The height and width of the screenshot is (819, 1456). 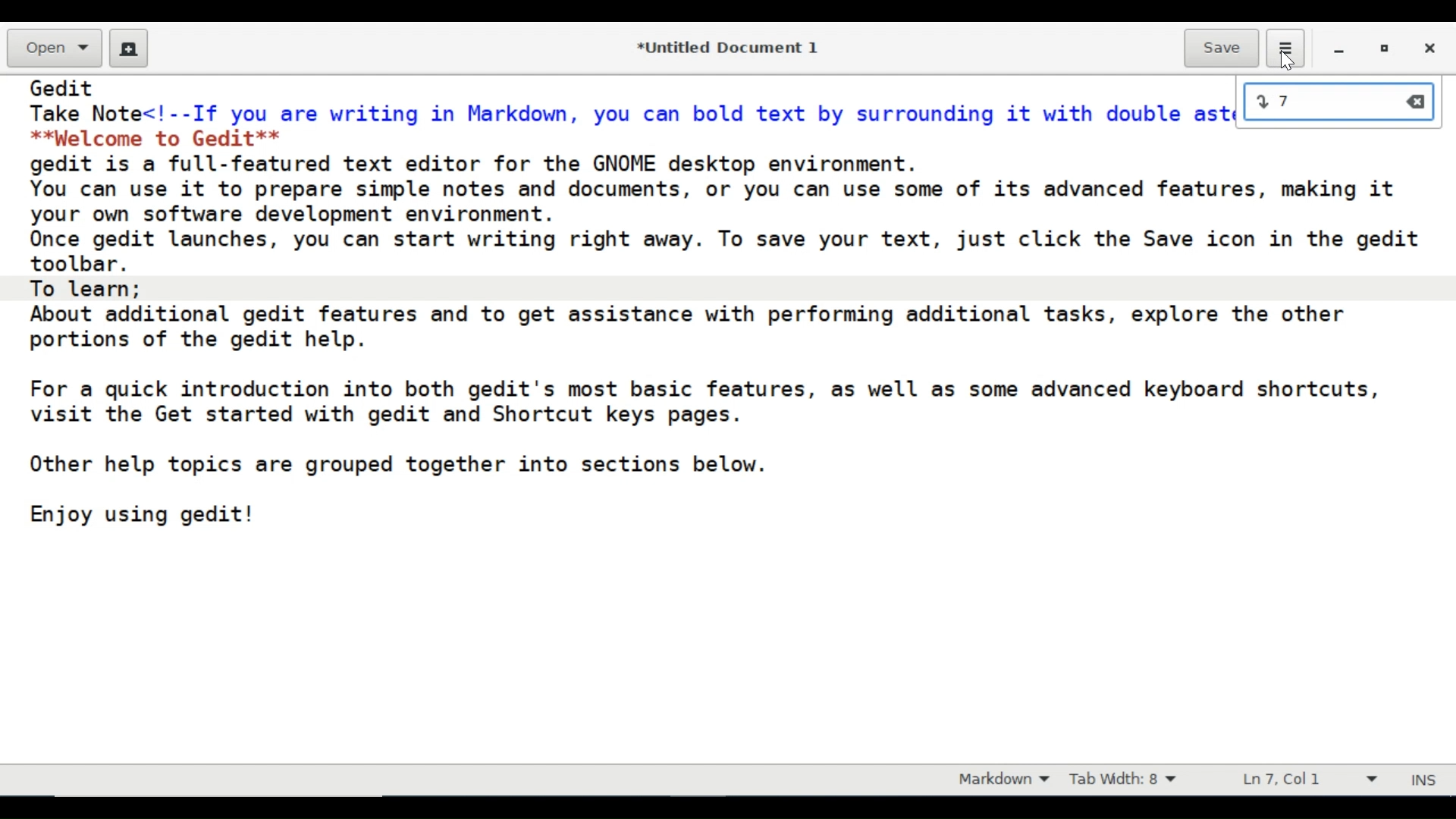 What do you see at coordinates (730, 49) in the screenshot?
I see `*Untitled Document 1` at bounding box center [730, 49].